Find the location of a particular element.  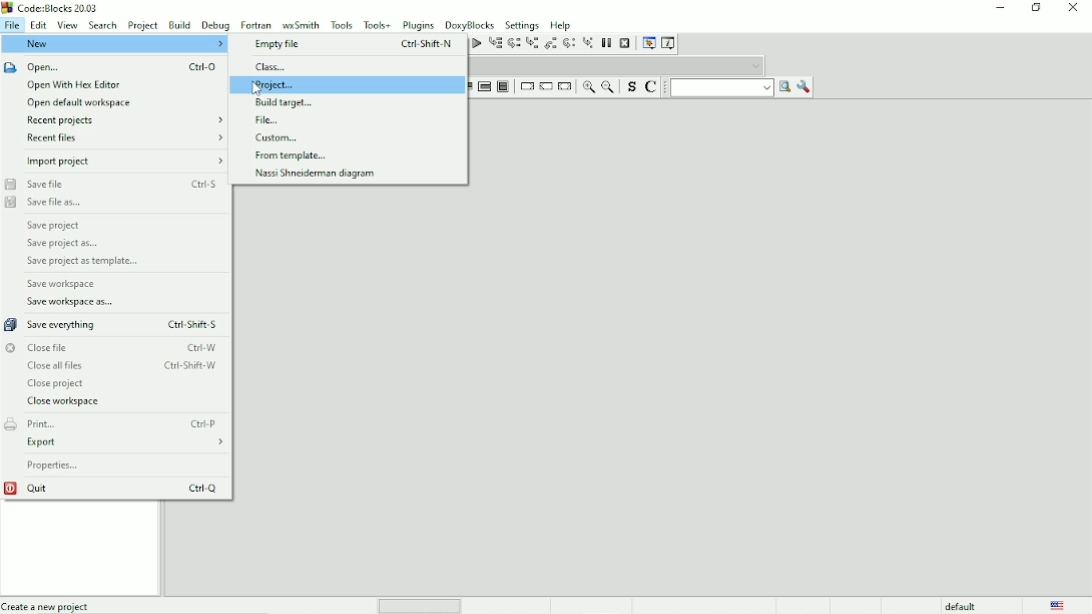

Various info is located at coordinates (670, 42).